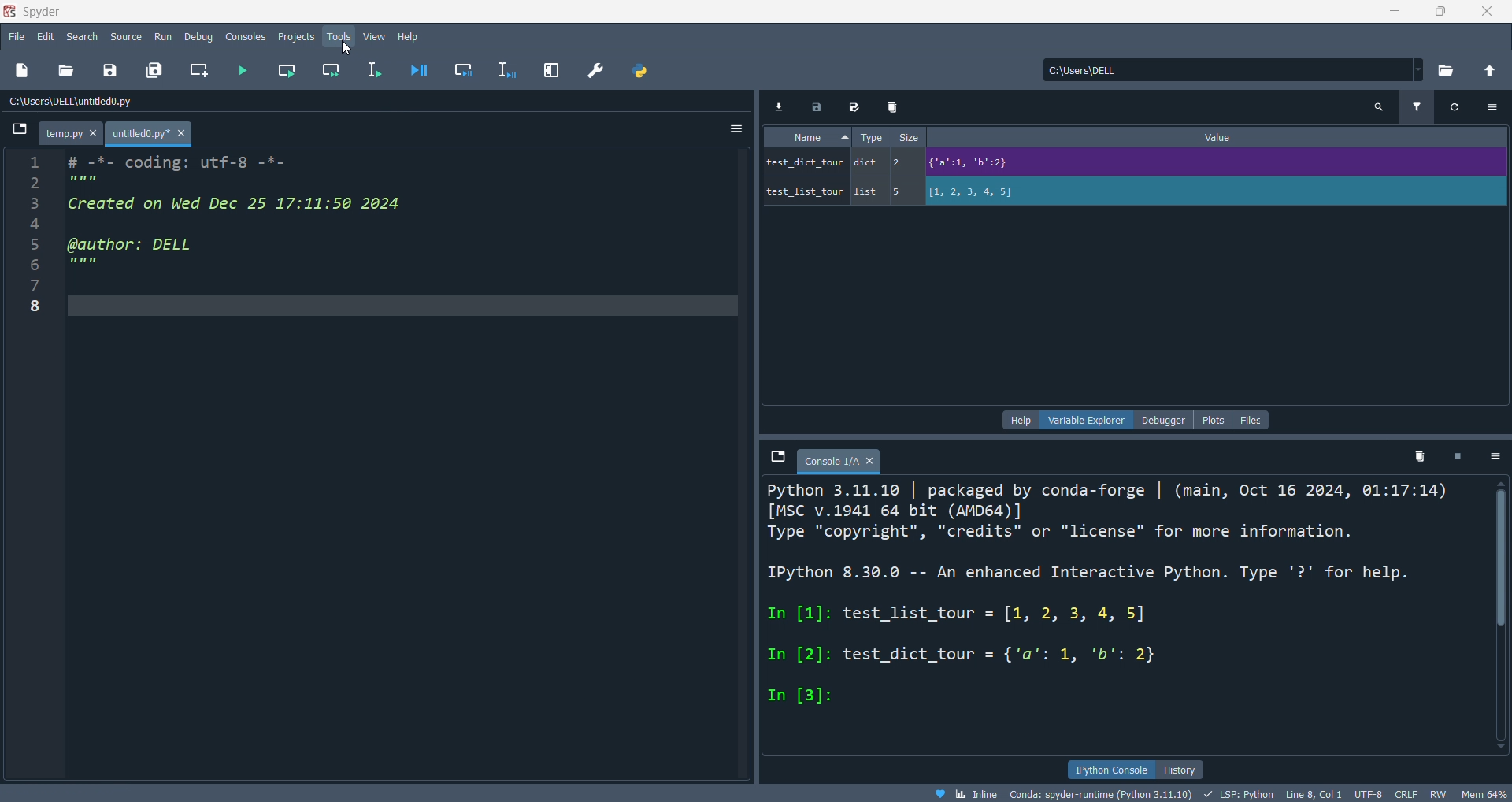 The height and width of the screenshot is (802, 1512). I want to click on run lin, so click(376, 70).